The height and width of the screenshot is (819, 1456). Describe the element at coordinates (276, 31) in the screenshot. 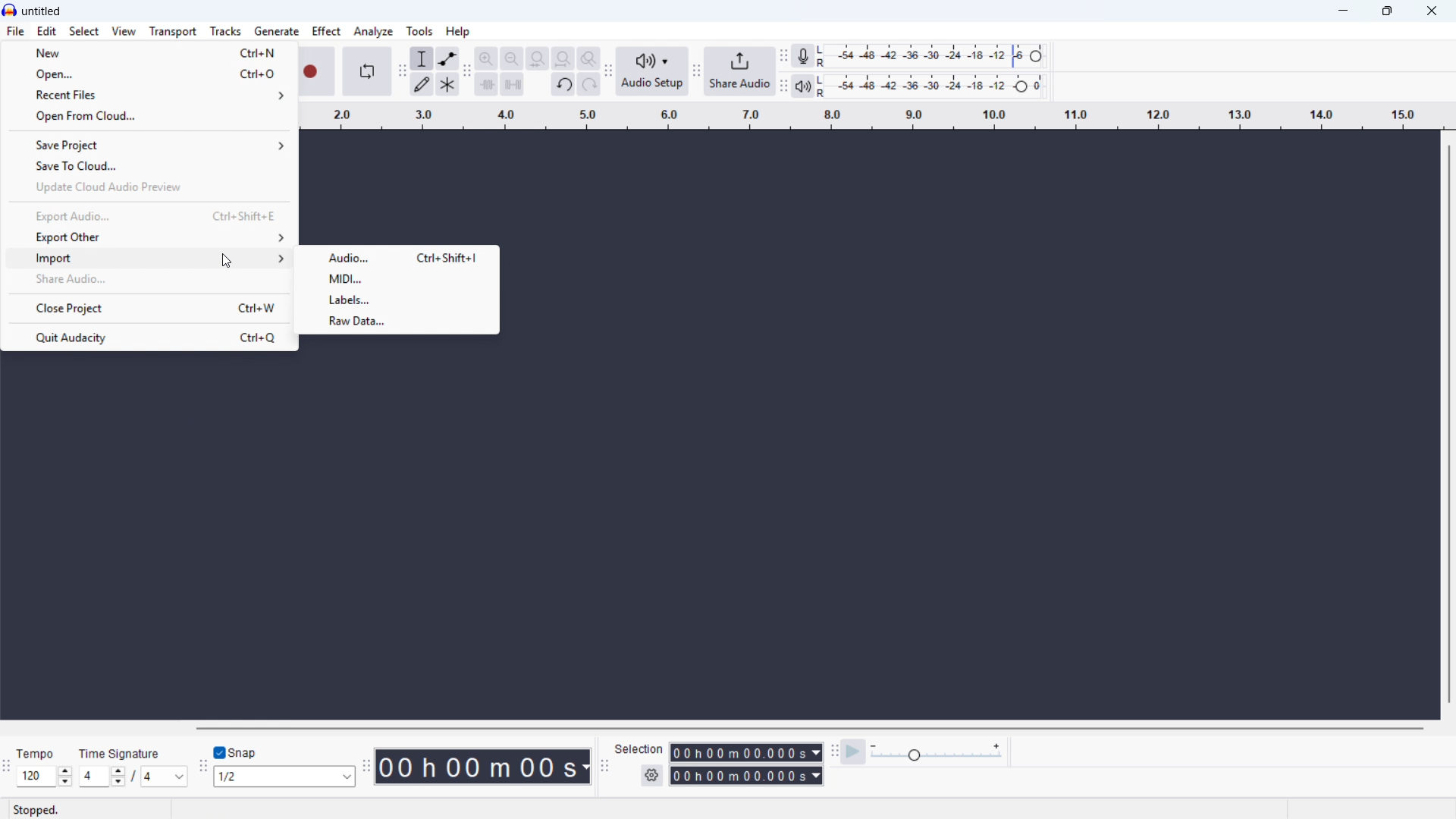

I see `Generate ` at that location.